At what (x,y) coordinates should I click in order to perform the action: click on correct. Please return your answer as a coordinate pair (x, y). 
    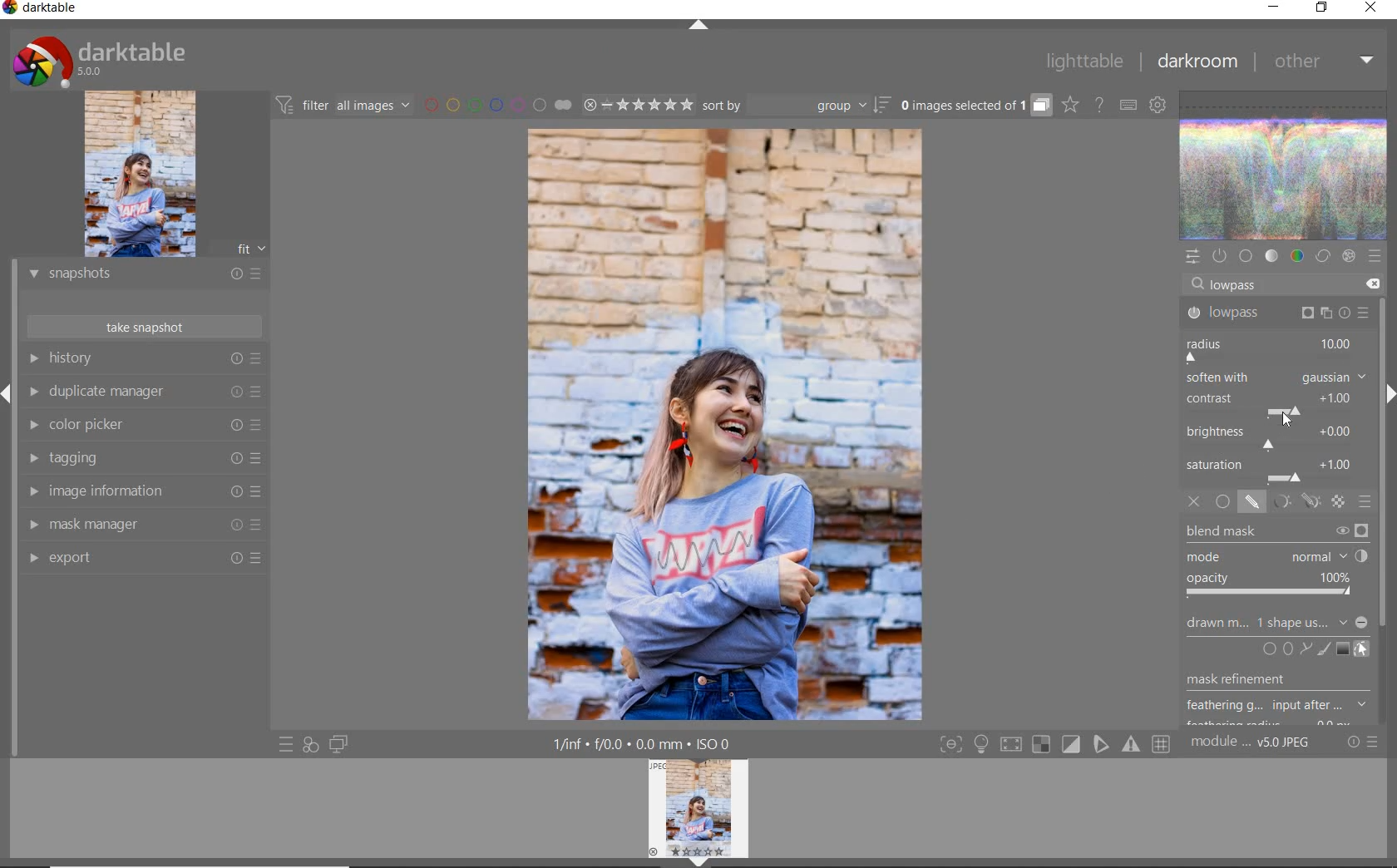
    Looking at the image, I should click on (1322, 257).